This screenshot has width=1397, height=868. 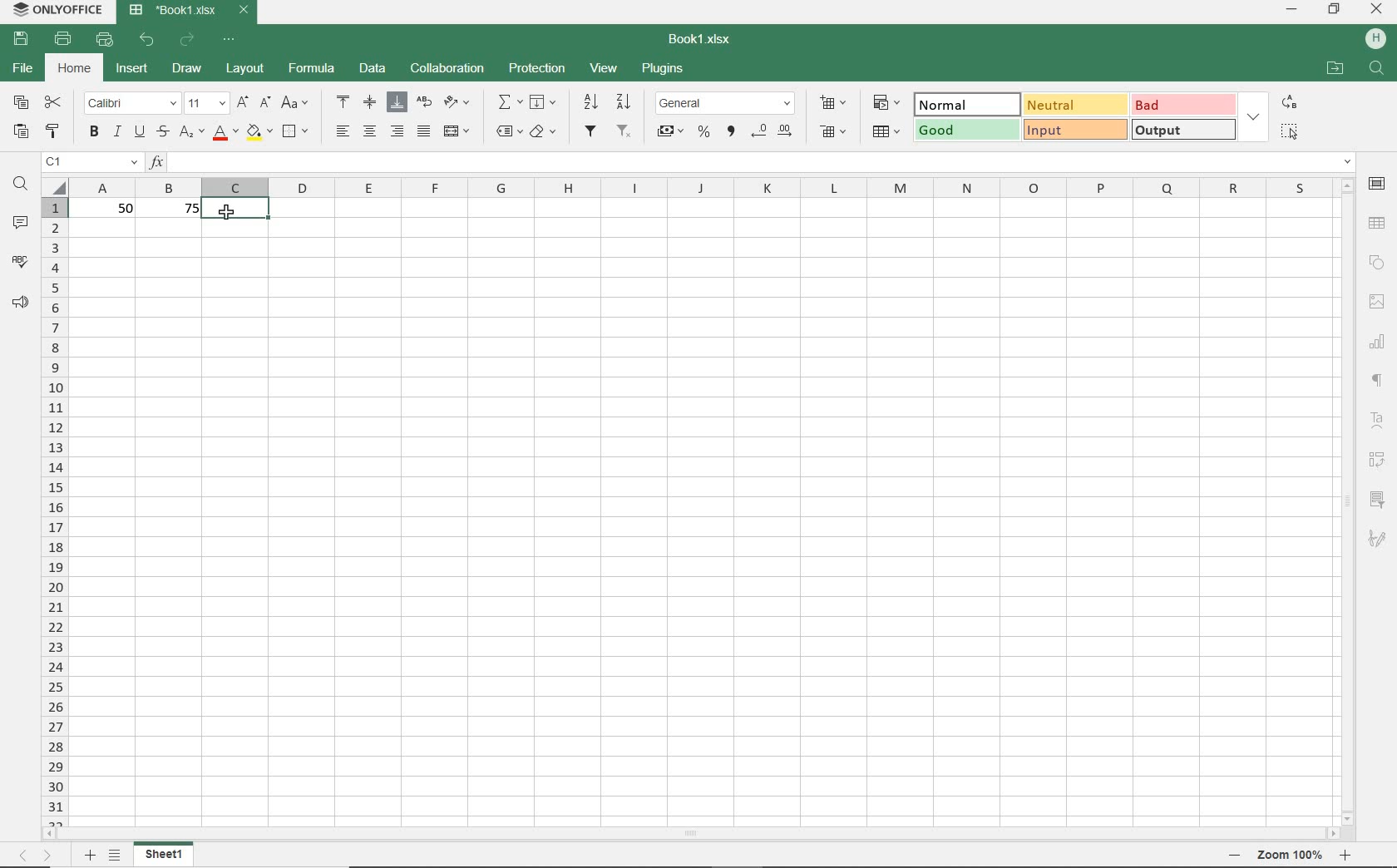 What do you see at coordinates (54, 132) in the screenshot?
I see `copy style` at bounding box center [54, 132].